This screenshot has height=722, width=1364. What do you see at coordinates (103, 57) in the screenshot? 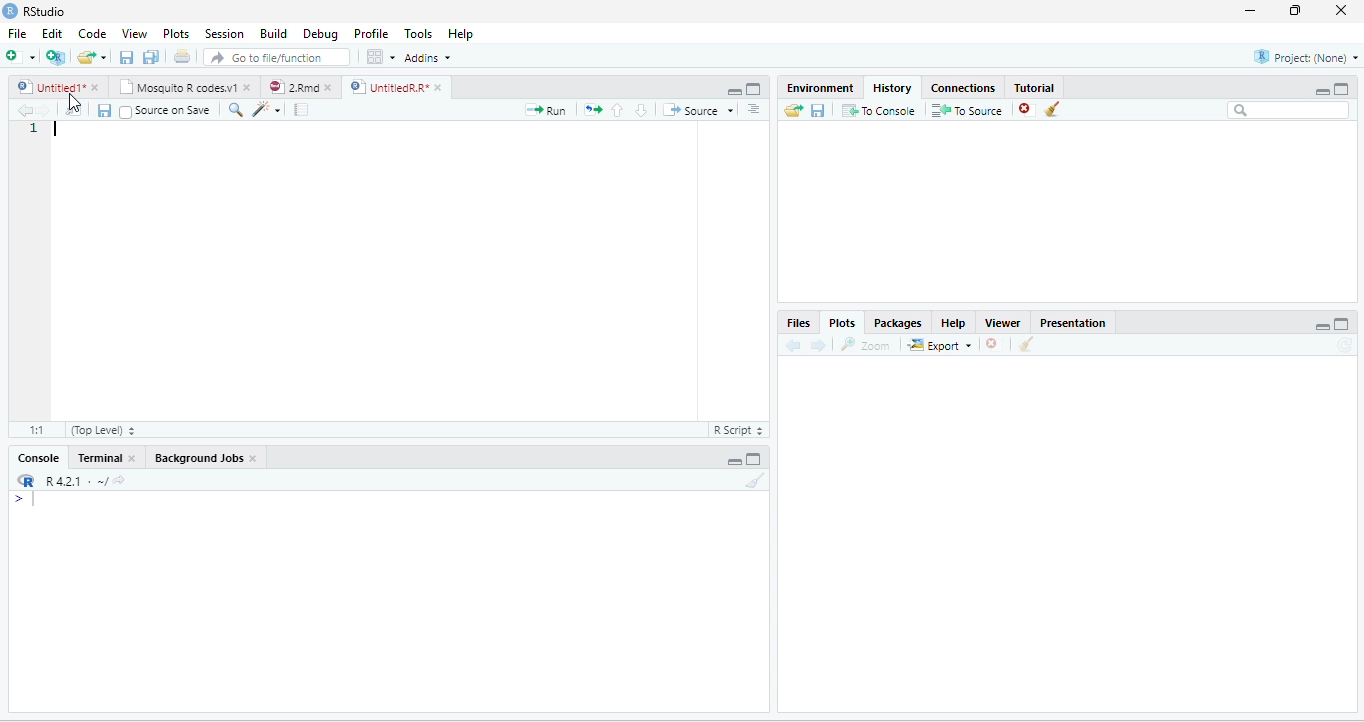
I see `Open recent files` at bounding box center [103, 57].